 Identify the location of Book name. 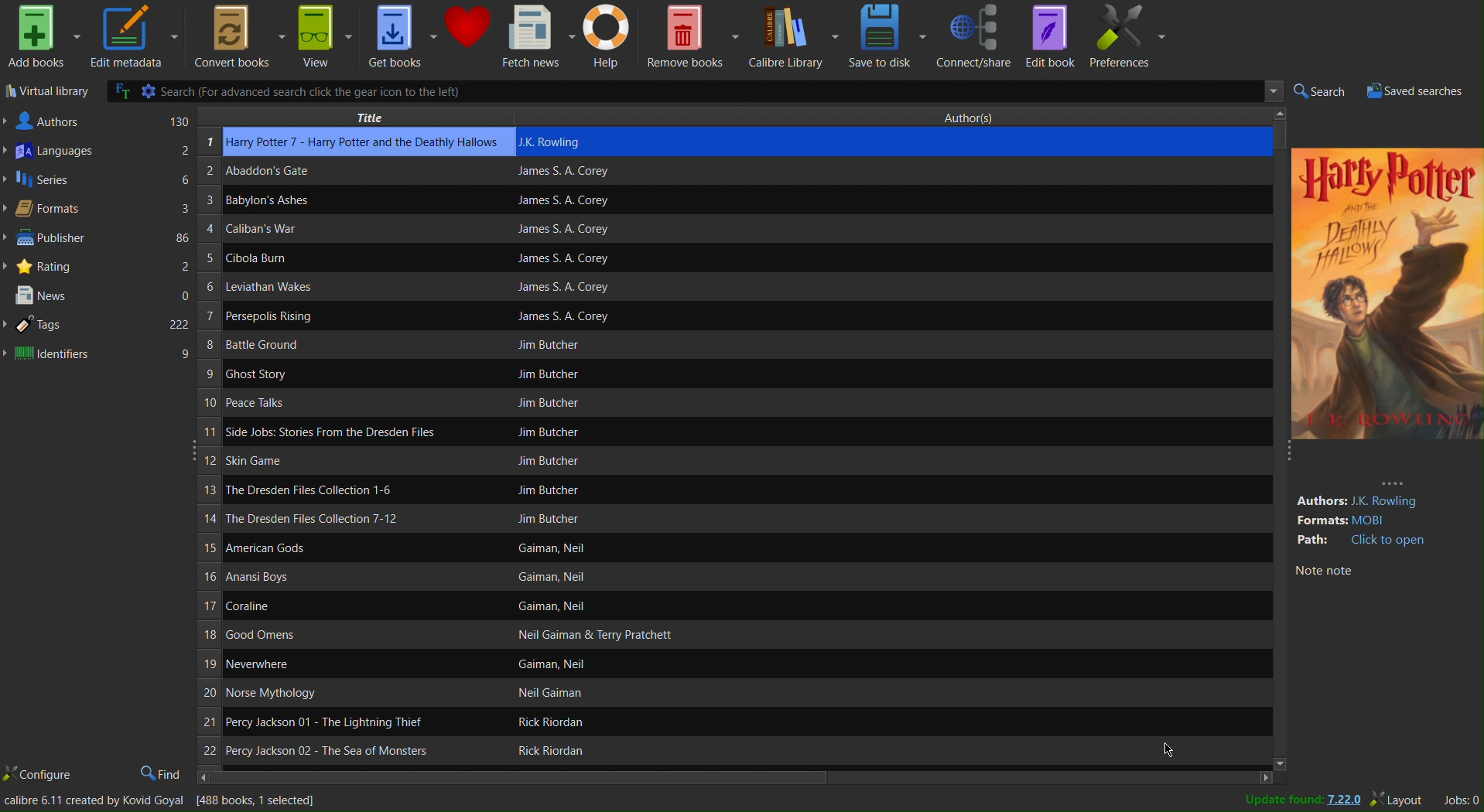
(342, 517).